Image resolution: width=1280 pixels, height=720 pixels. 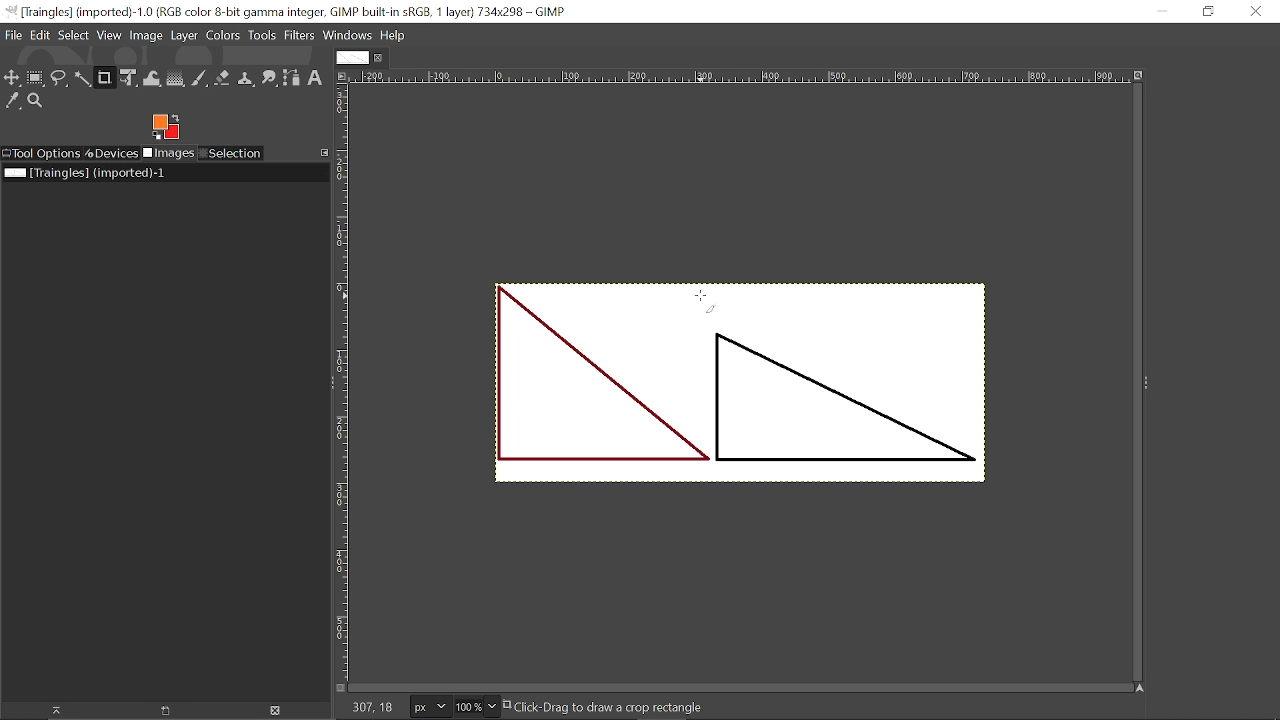 What do you see at coordinates (112, 153) in the screenshot?
I see `Devices` at bounding box center [112, 153].